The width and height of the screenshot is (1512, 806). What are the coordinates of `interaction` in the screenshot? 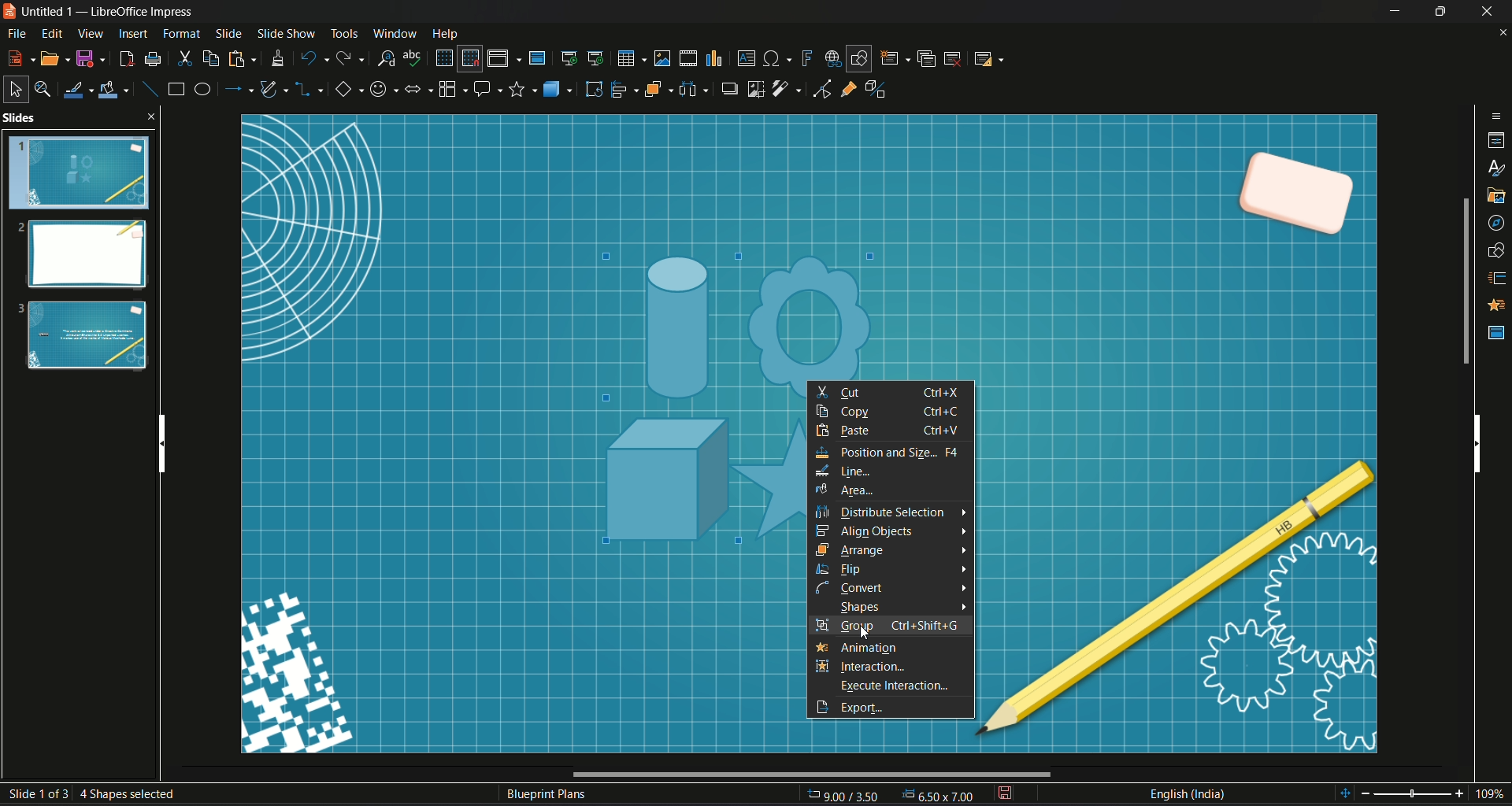 It's located at (873, 666).